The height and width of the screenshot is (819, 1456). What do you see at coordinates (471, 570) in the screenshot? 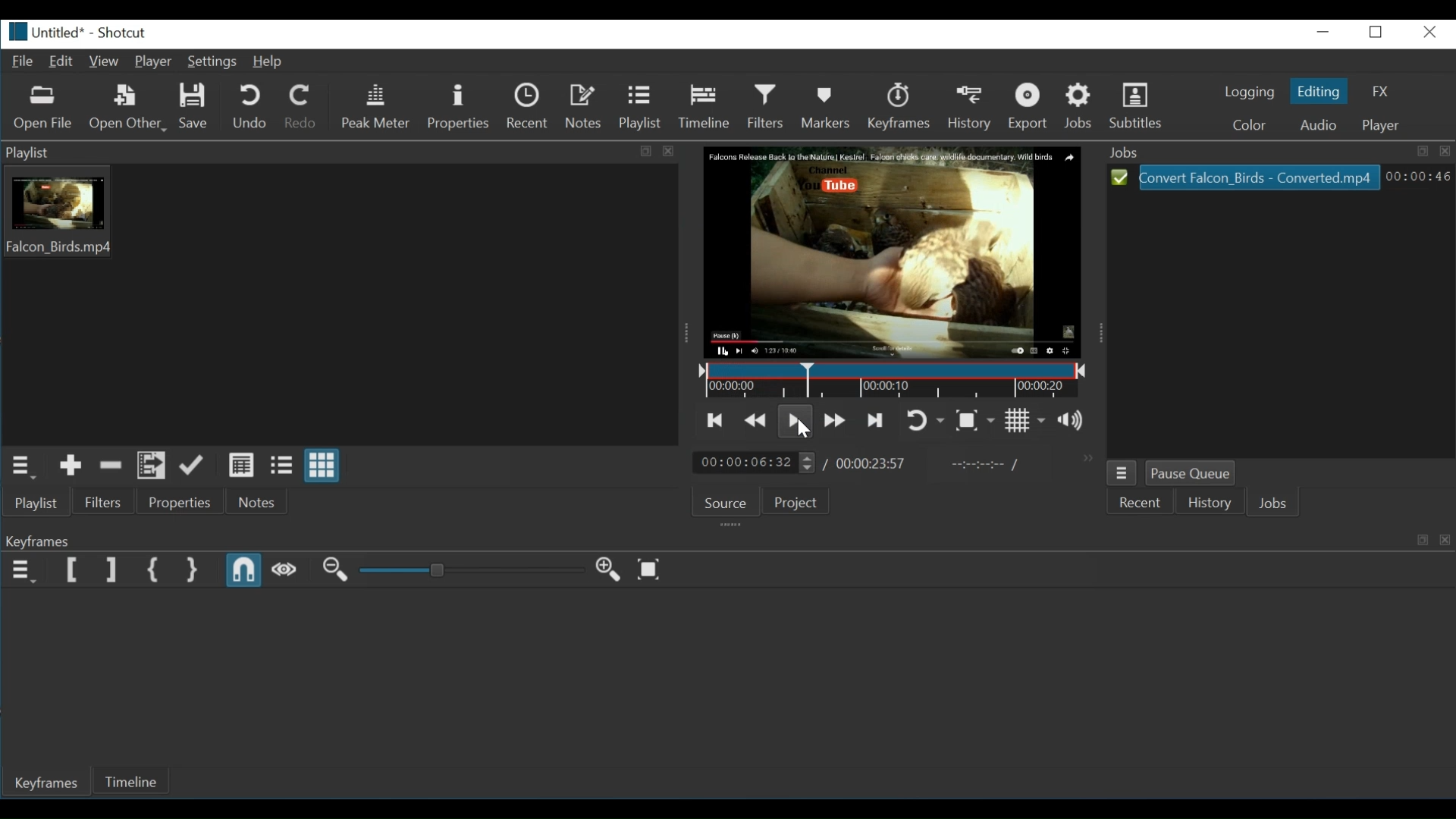
I see `Adjust Zoom keyframe ` at bounding box center [471, 570].